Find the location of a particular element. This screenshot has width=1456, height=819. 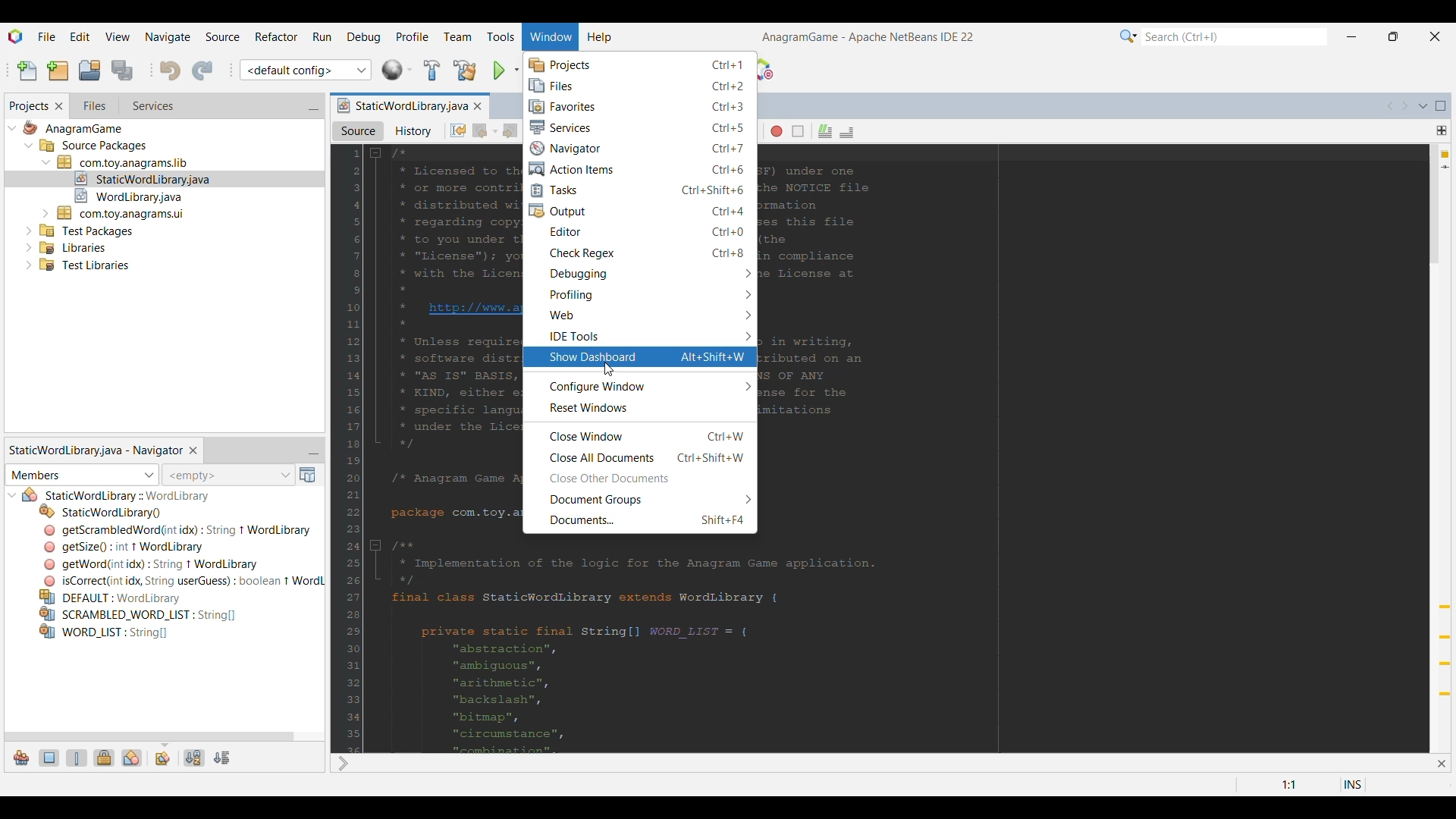

 is located at coordinates (123, 546).